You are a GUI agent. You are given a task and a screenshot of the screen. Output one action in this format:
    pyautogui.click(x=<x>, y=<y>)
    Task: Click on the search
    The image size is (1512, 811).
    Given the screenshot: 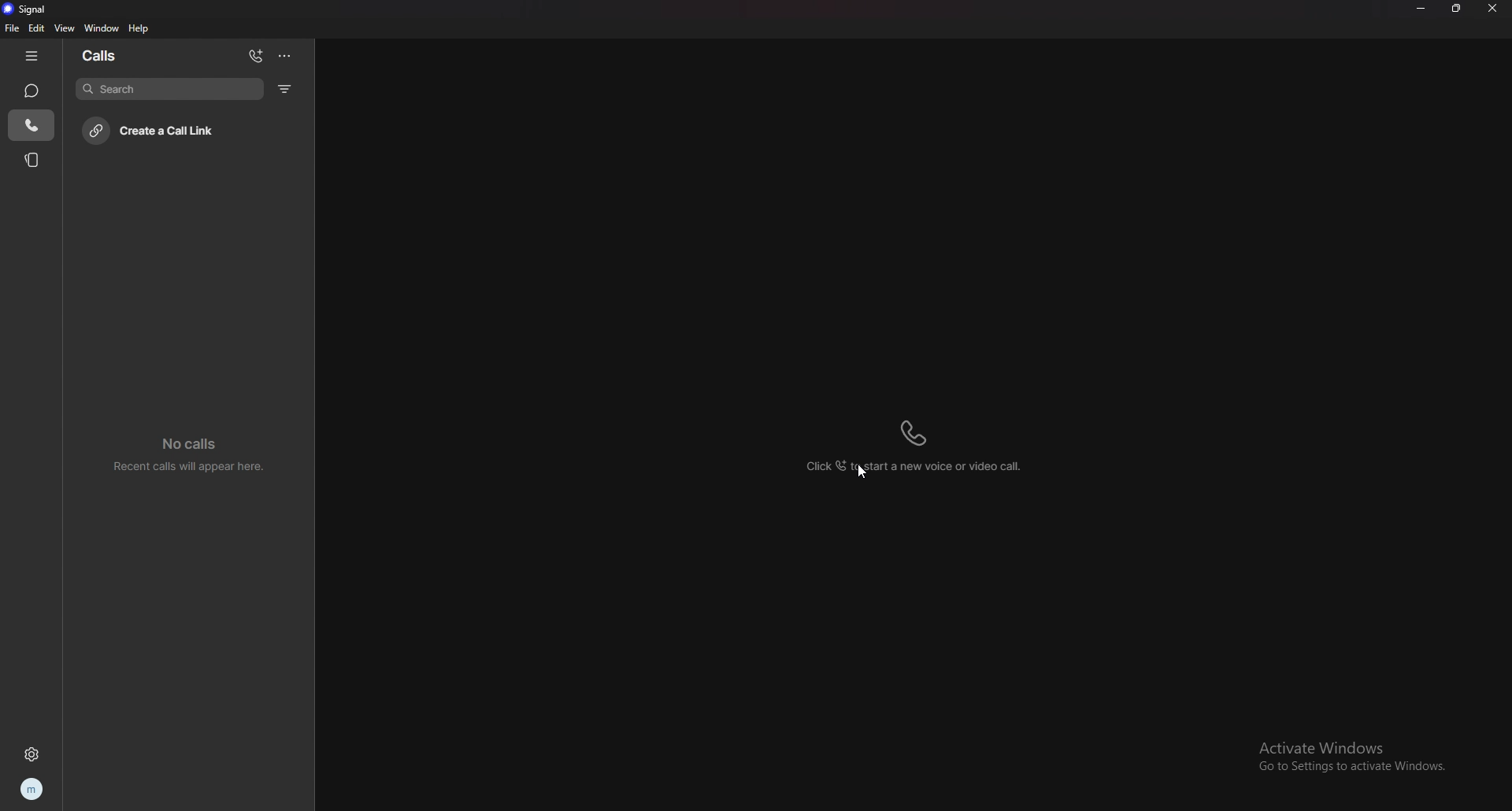 What is the action you would take?
    pyautogui.click(x=169, y=88)
    